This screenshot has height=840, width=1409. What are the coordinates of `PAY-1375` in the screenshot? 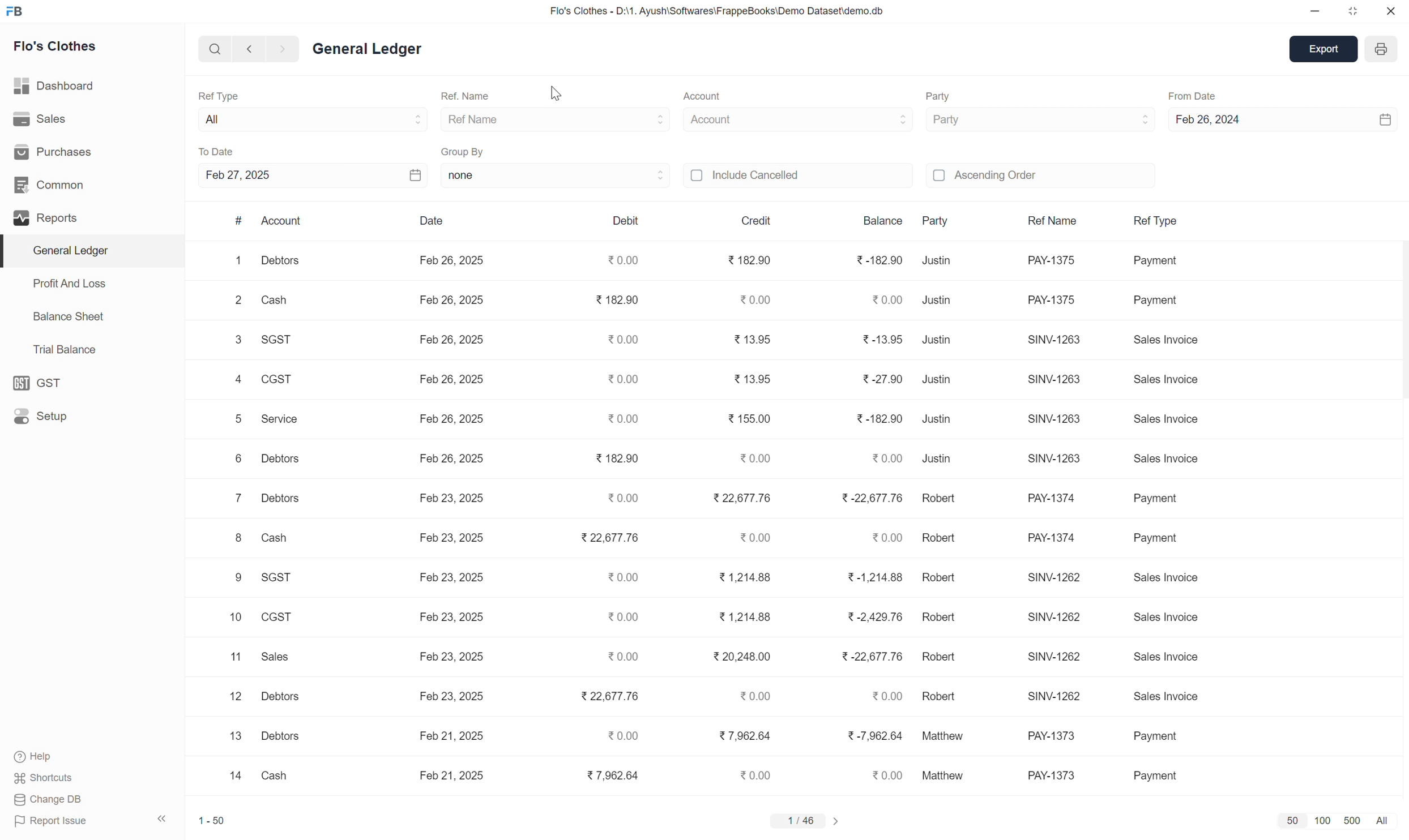 It's located at (1057, 301).